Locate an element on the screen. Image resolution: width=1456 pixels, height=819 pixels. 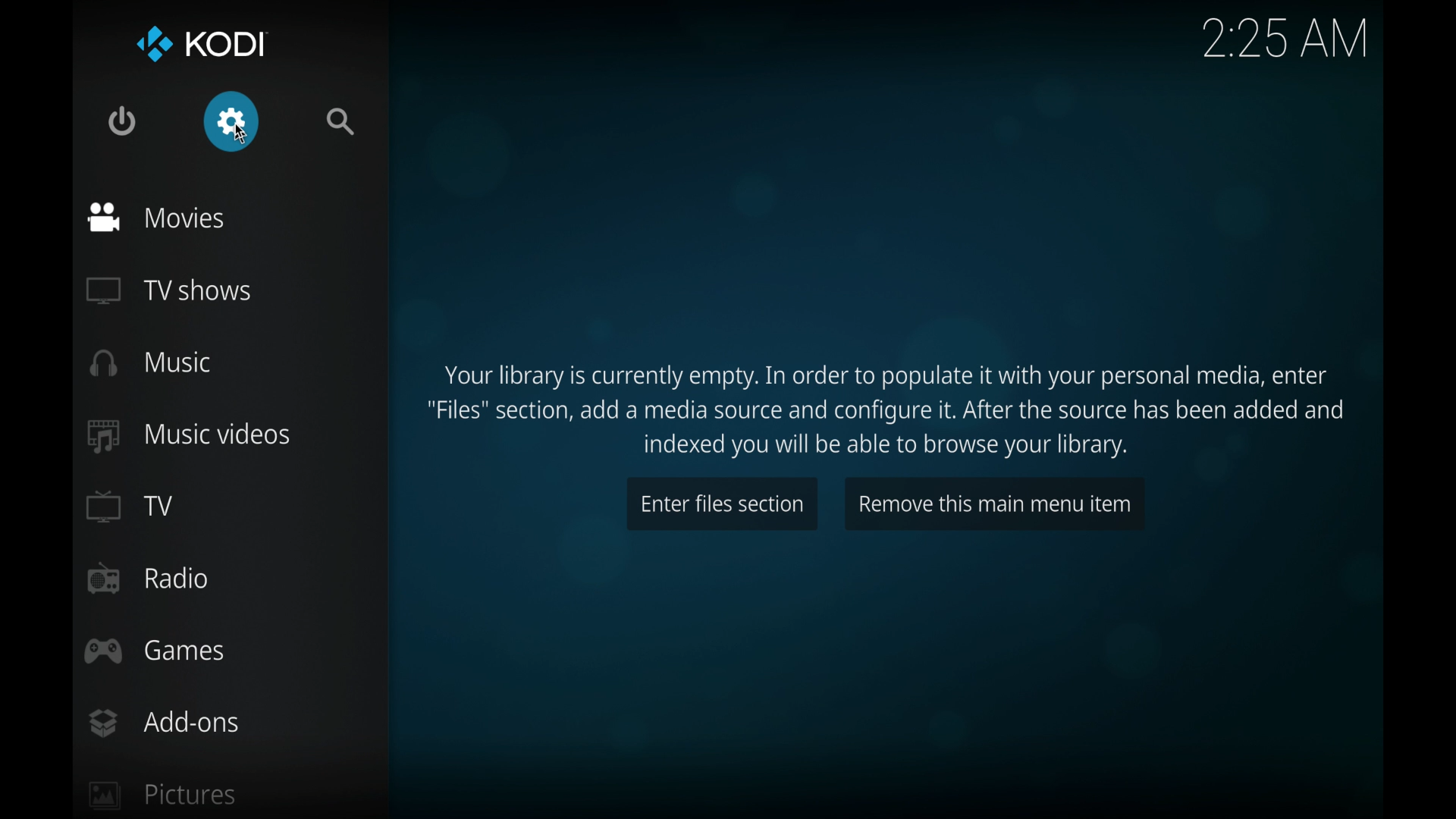
quit kodi is located at coordinates (123, 121).